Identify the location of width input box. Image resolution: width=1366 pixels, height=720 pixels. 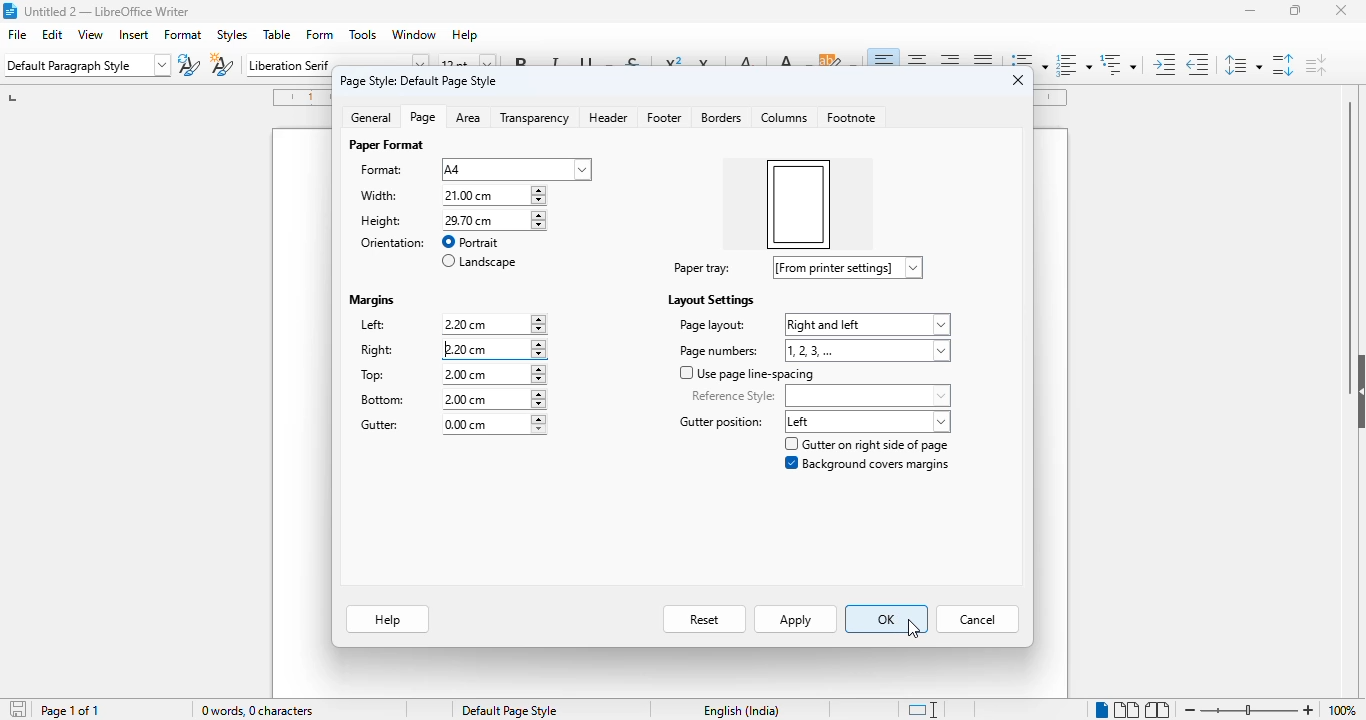
(479, 197).